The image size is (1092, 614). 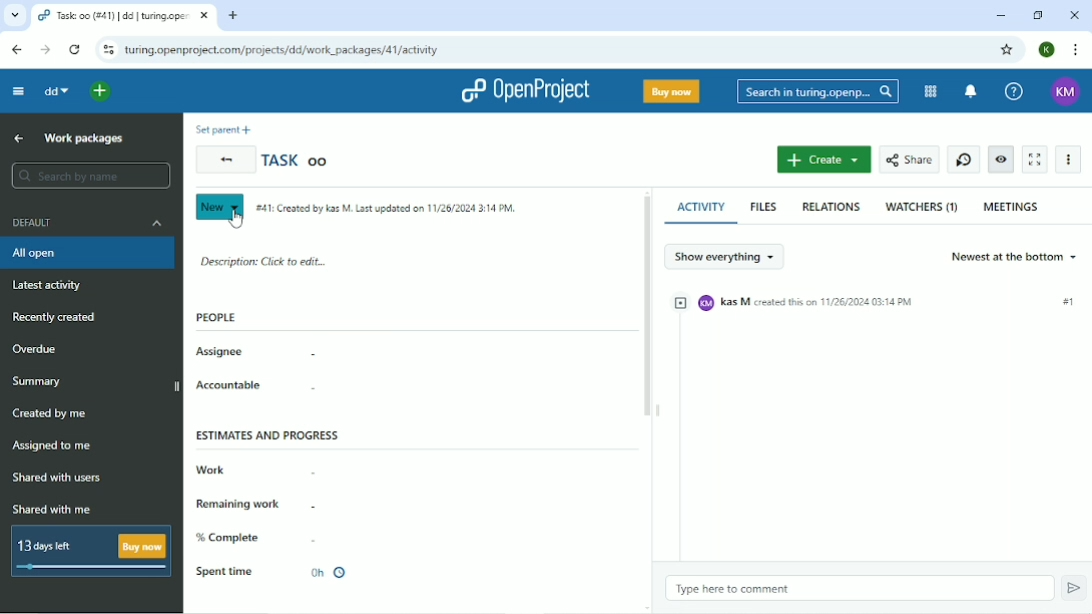 What do you see at coordinates (1073, 588) in the screenshot?
I see `Submit comment` at bounding box center [1073, 588].